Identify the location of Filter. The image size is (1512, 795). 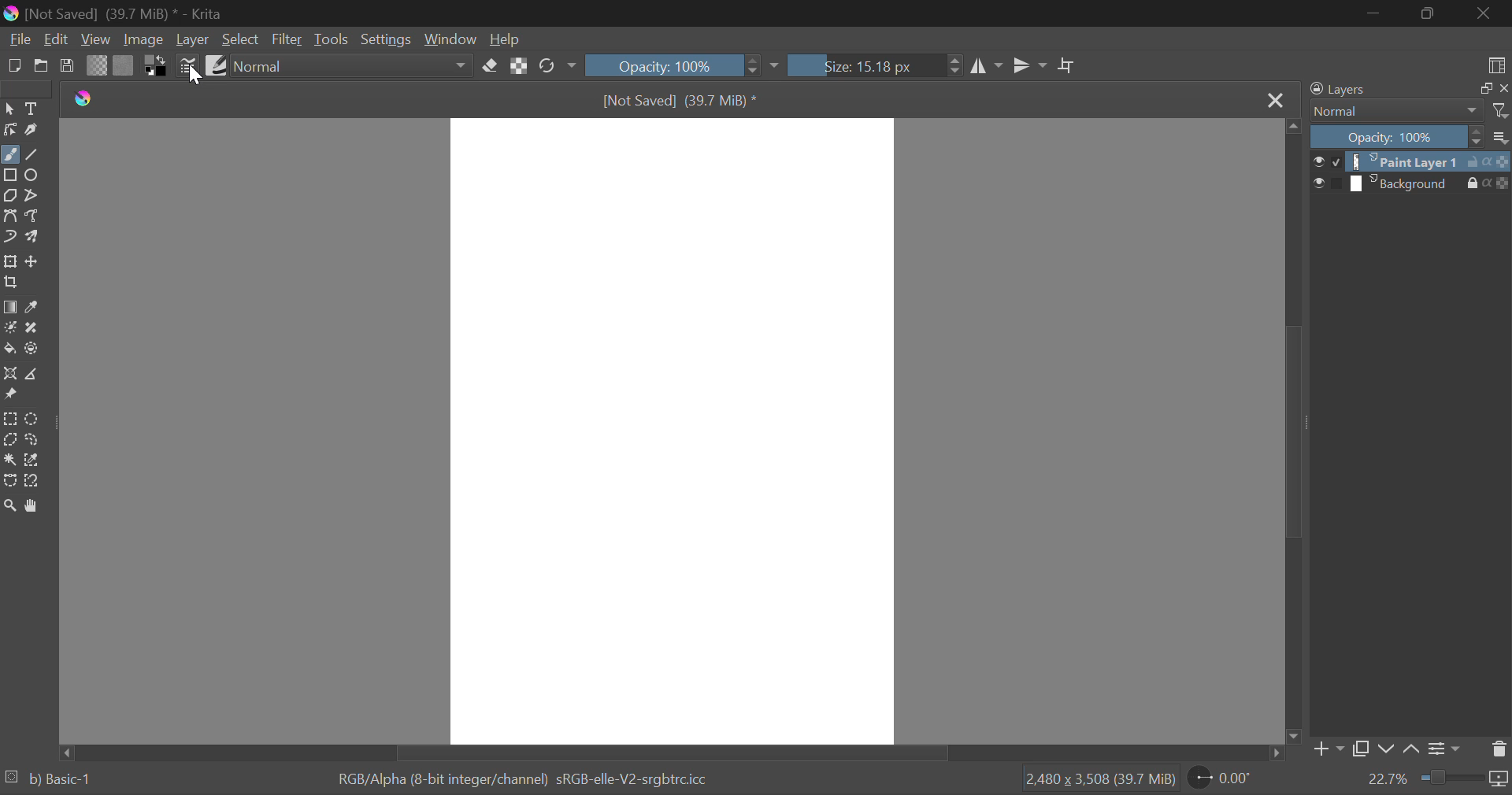
(287, 39).